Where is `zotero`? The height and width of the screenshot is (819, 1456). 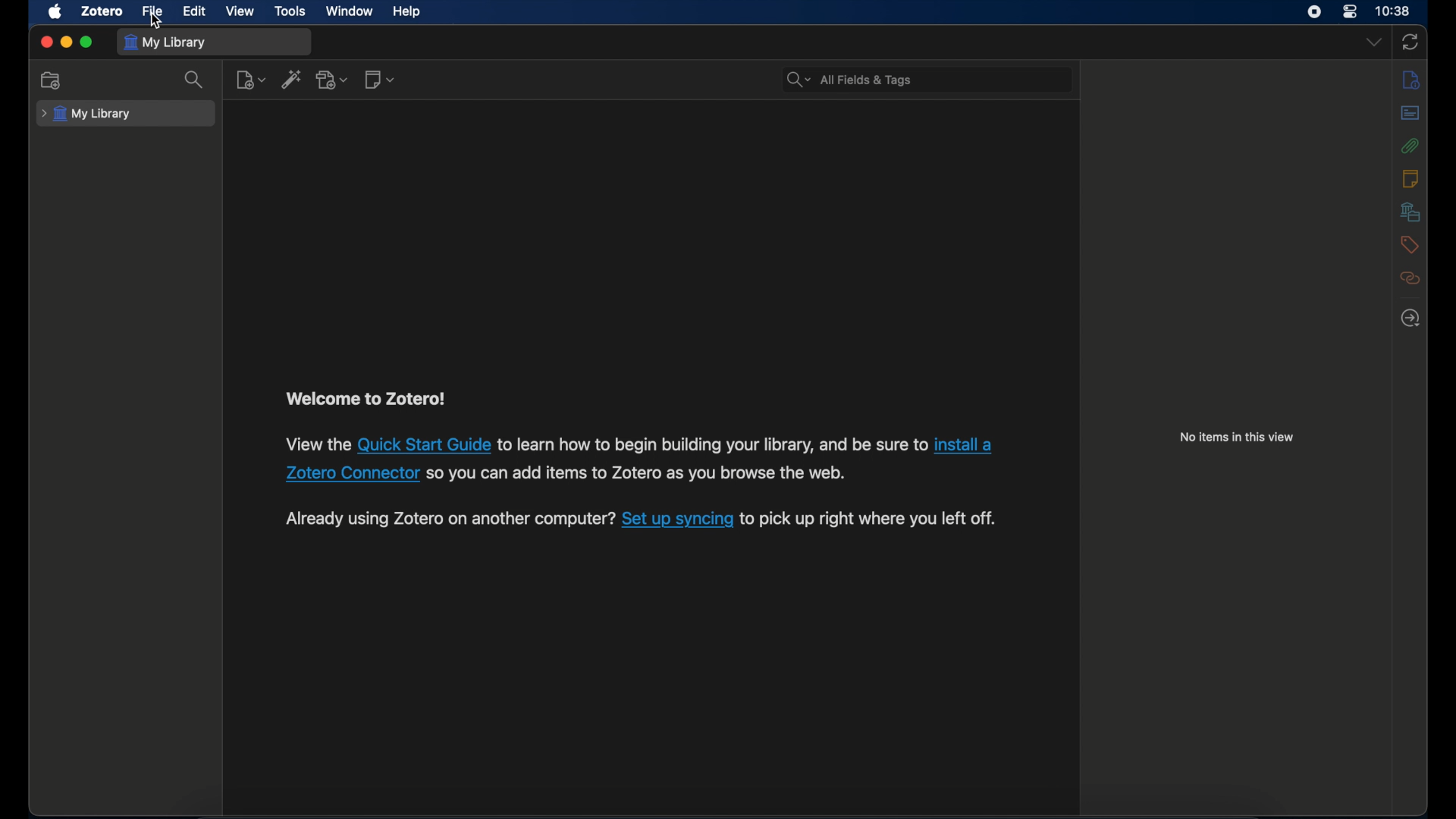
zotero is located at coordinates (104, 11).